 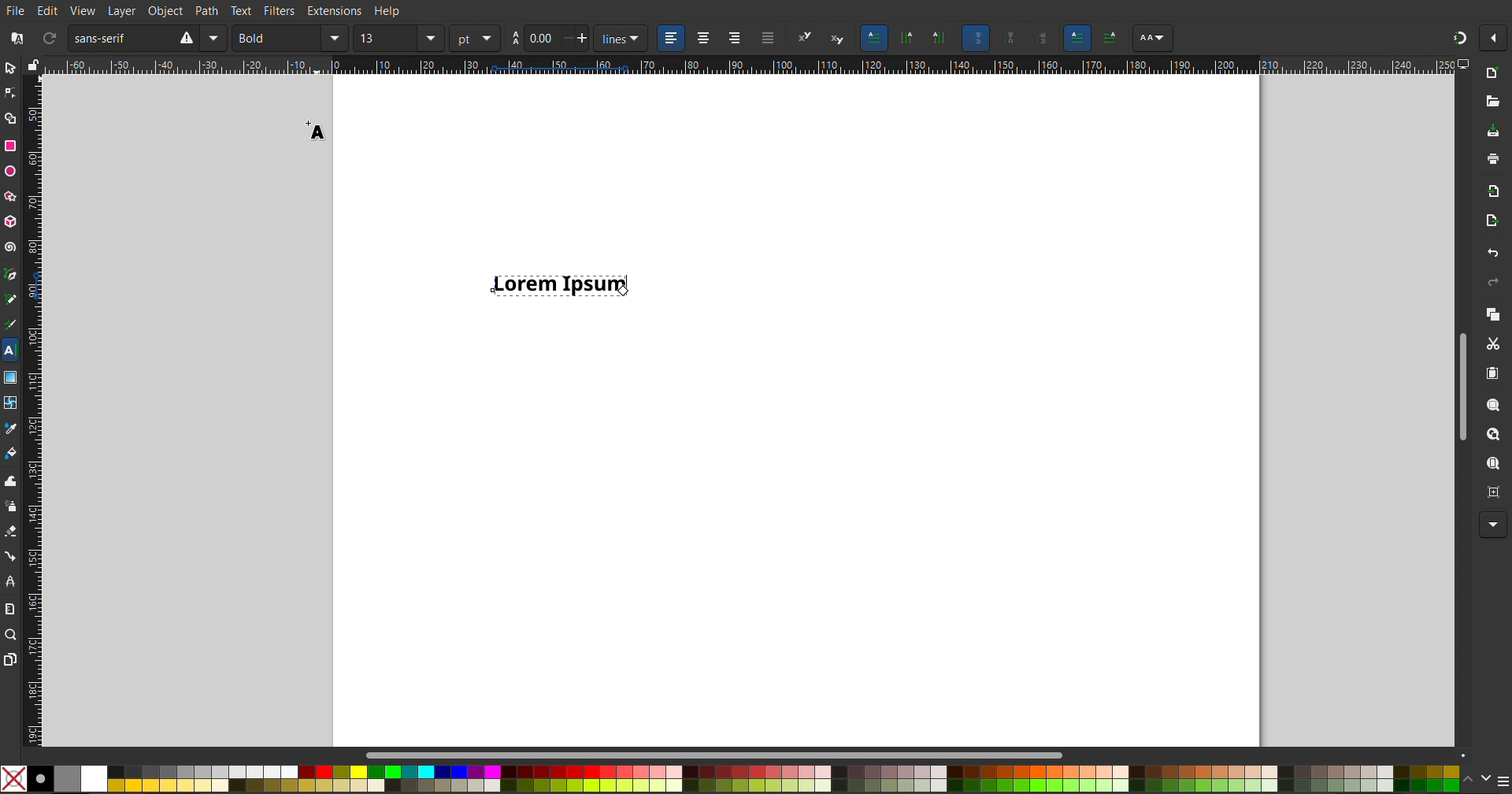 I want to click on Upright glyph orientation, so click(x=1011, y=39).